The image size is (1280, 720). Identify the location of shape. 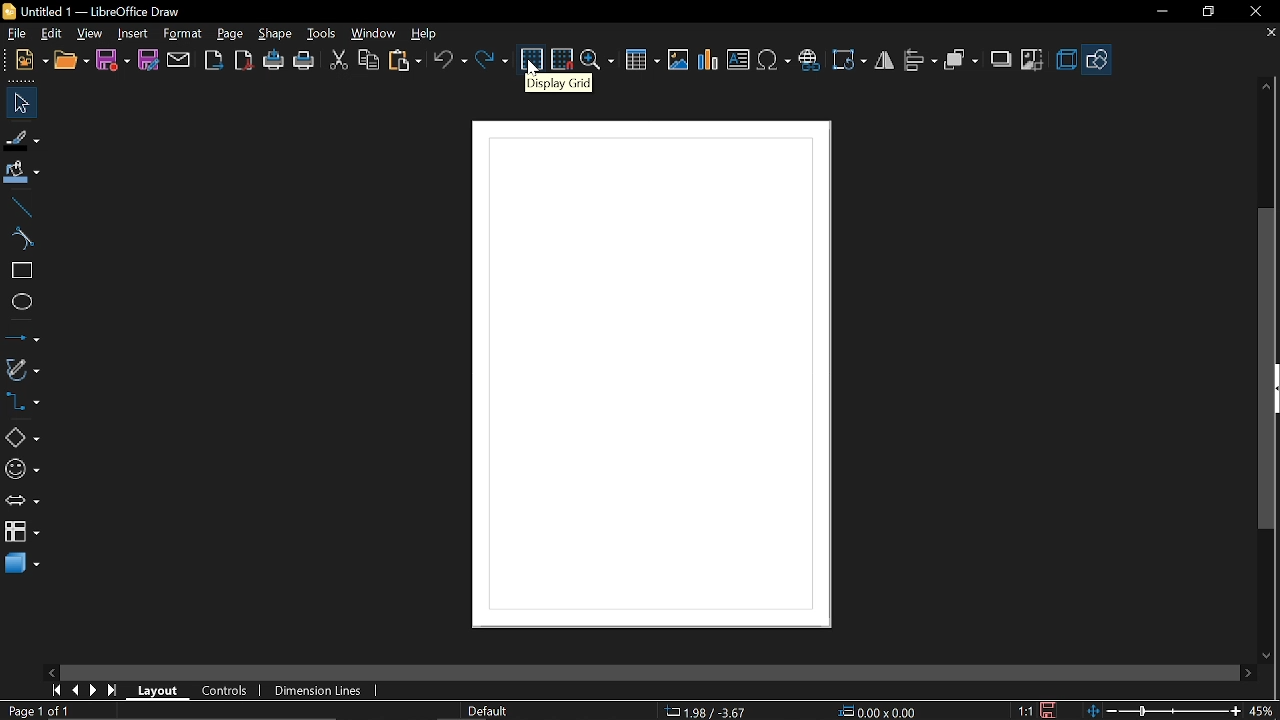
(277, 33).